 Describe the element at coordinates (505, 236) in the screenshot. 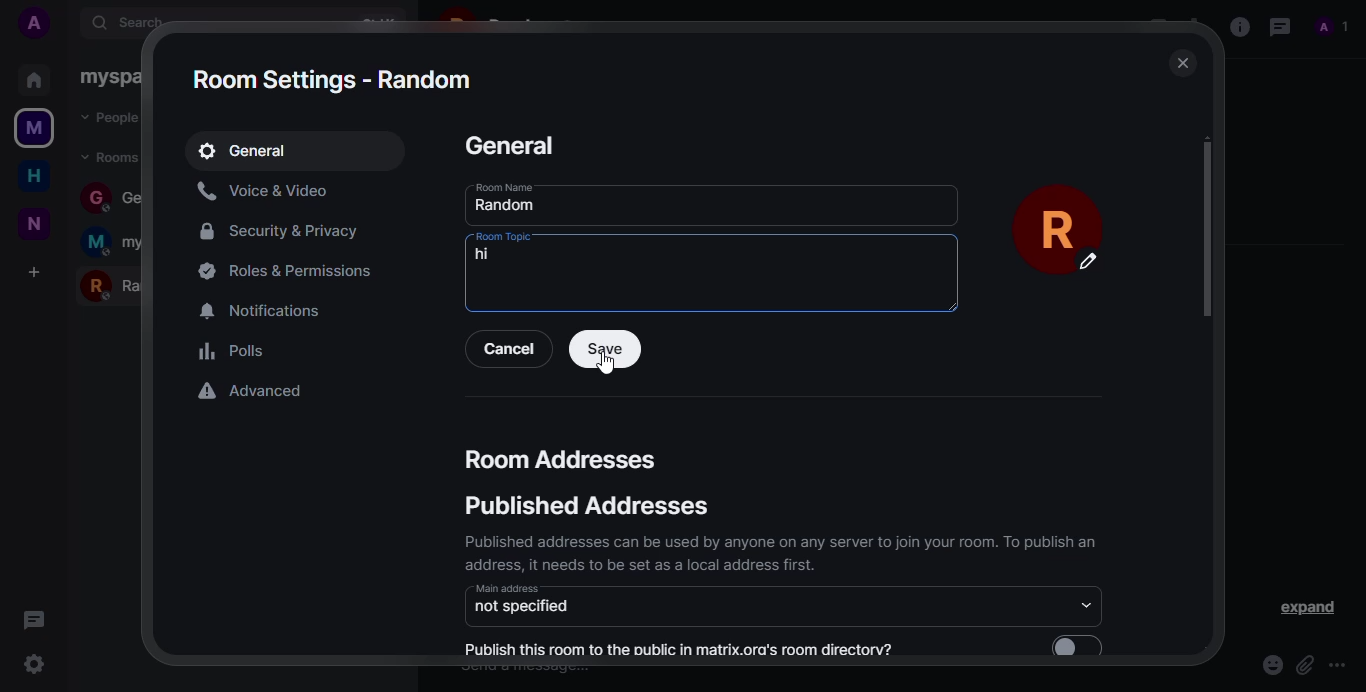

I see `room topic` at that location.